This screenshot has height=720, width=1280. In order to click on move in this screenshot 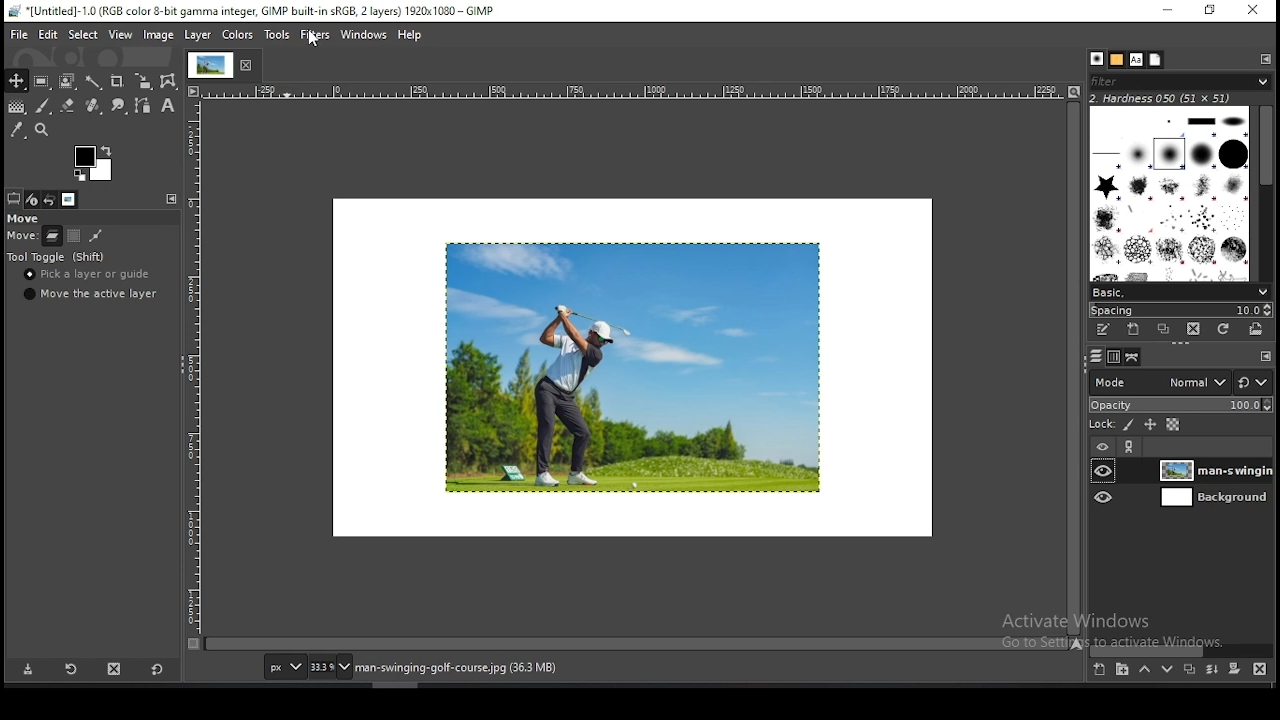, I will do `click(28, 217)`.